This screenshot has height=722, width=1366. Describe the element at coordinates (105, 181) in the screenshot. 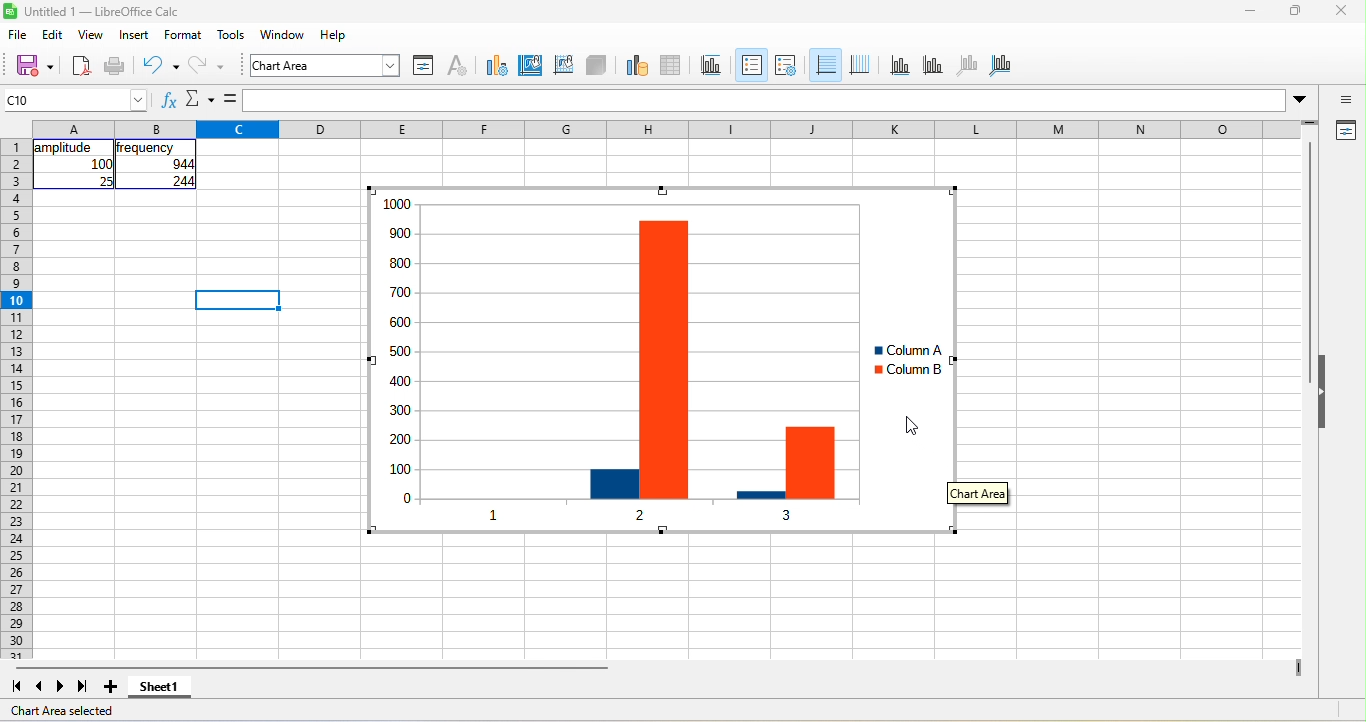

I see `25` at that location.